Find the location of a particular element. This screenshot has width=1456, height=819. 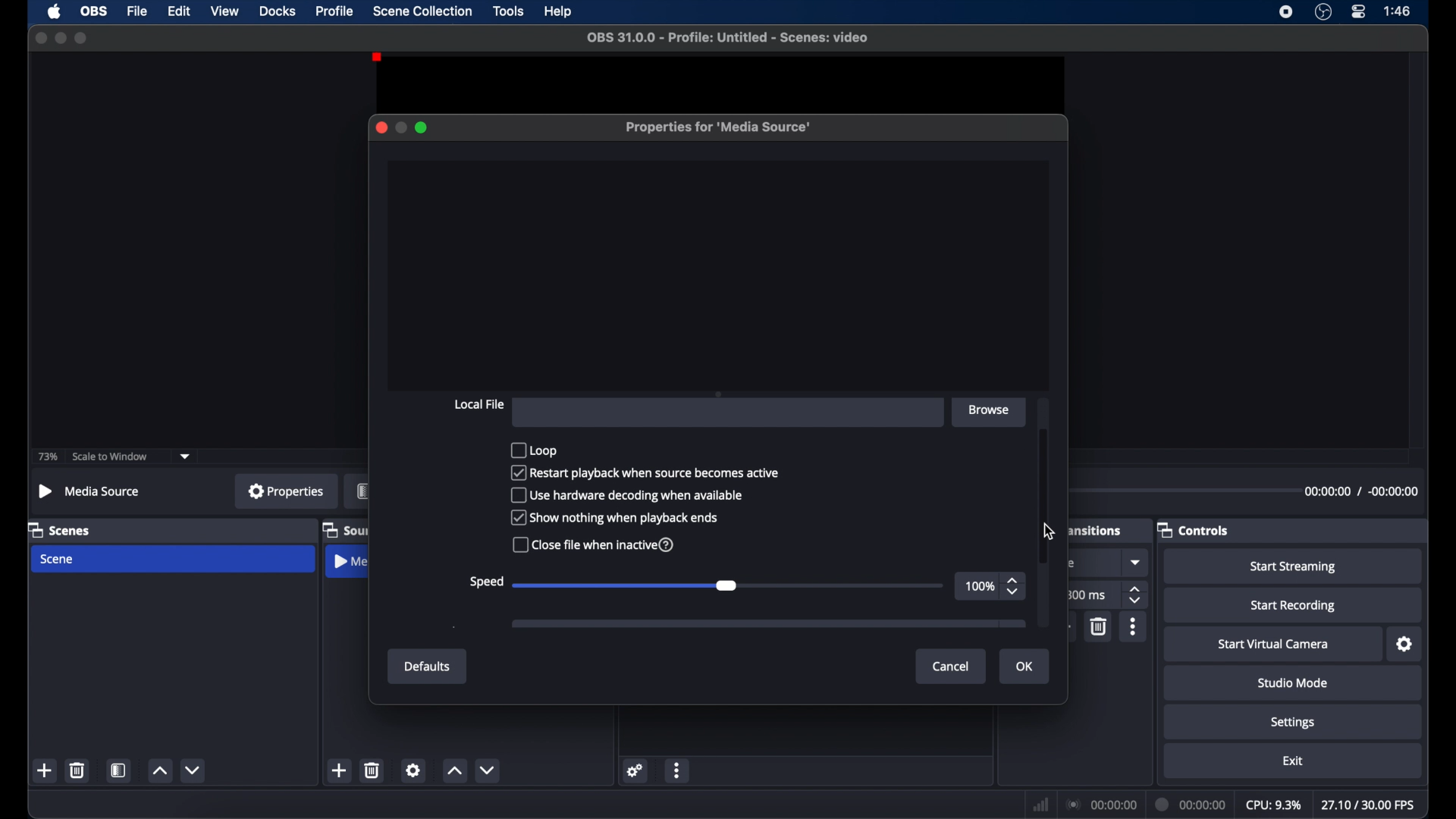

obs is located at coordinates (95, 11).